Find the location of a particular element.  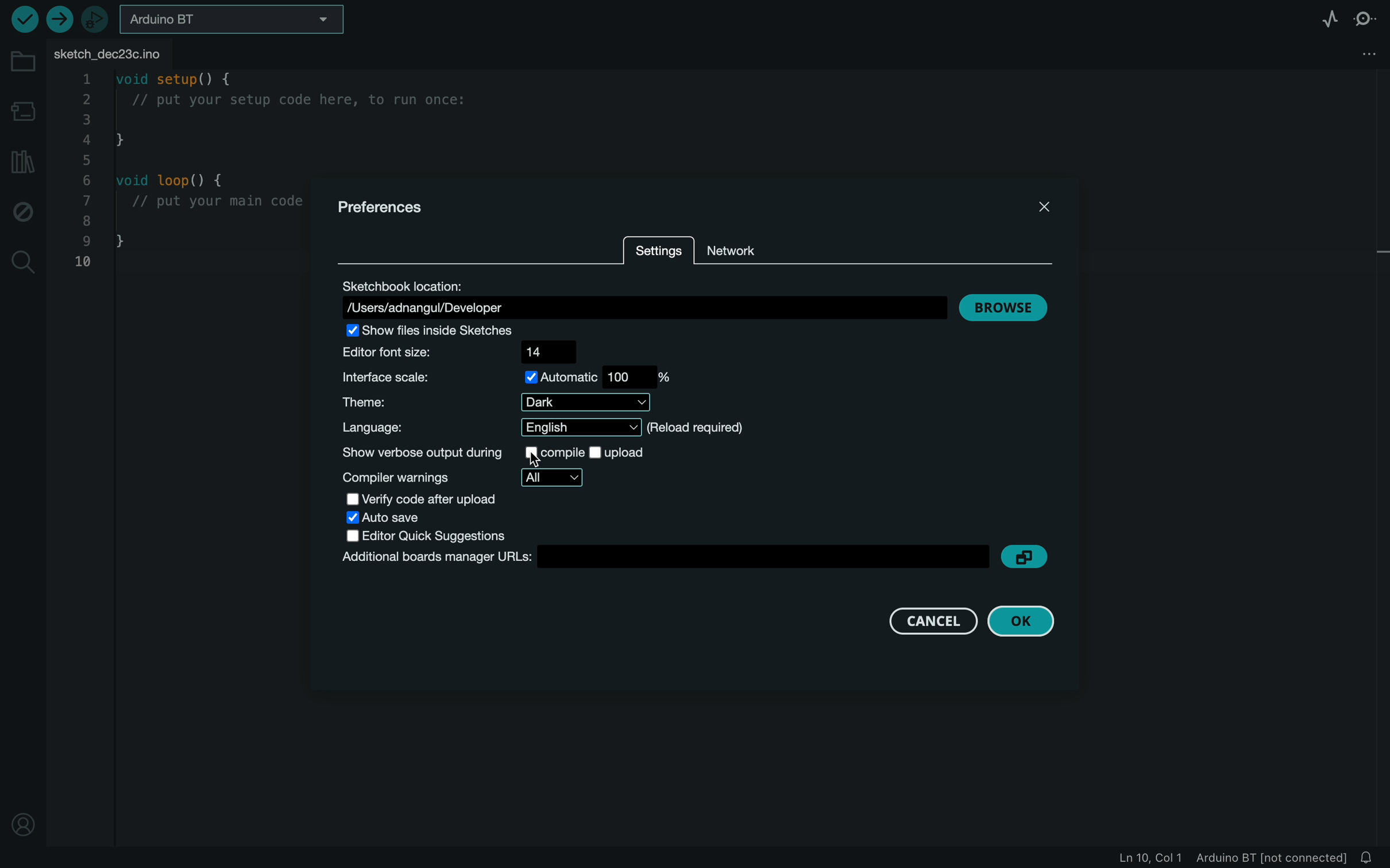

file setting is located at coordinates (1365, 53).